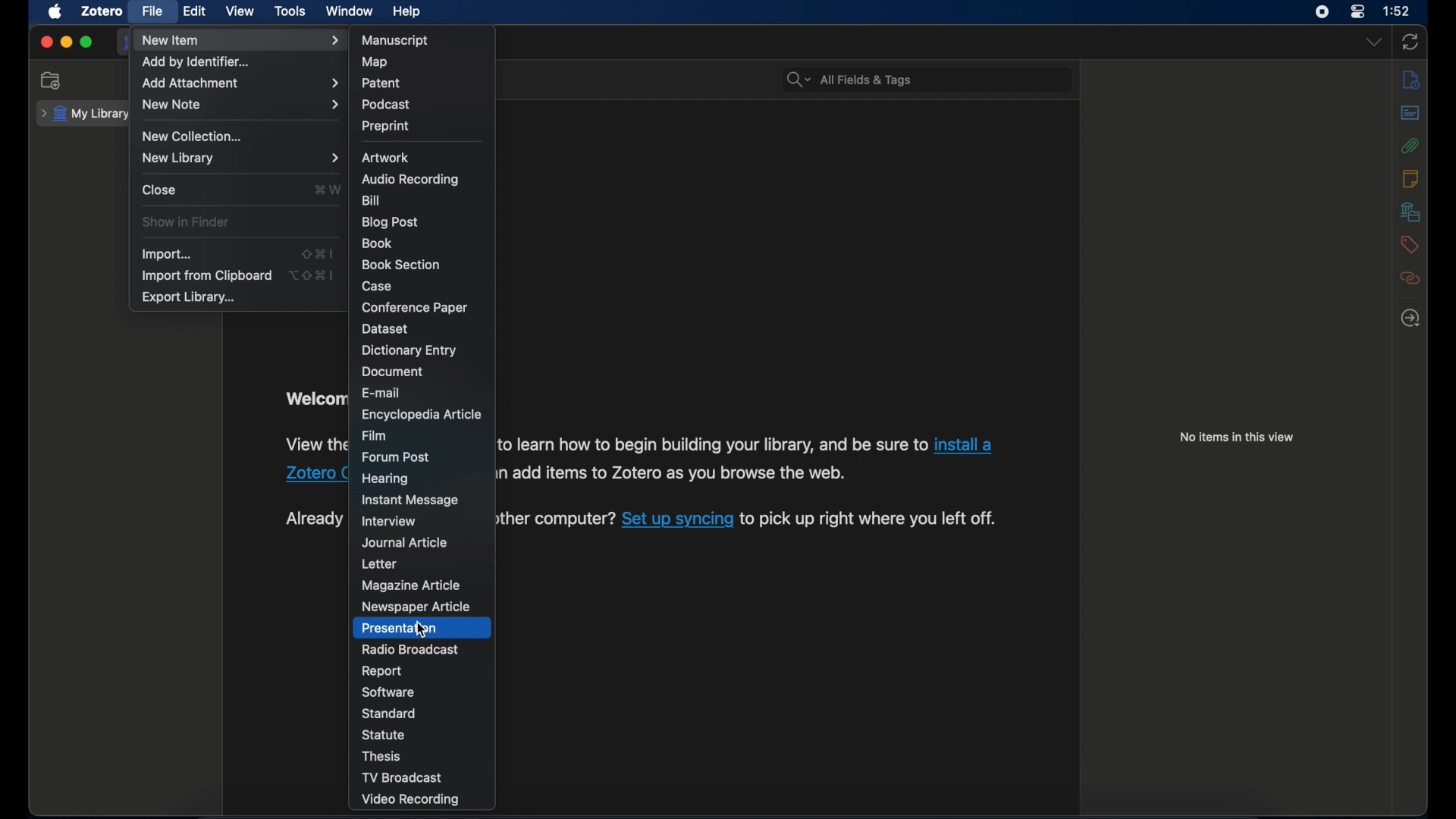  I want to click on e-mail, so click(382, 392).